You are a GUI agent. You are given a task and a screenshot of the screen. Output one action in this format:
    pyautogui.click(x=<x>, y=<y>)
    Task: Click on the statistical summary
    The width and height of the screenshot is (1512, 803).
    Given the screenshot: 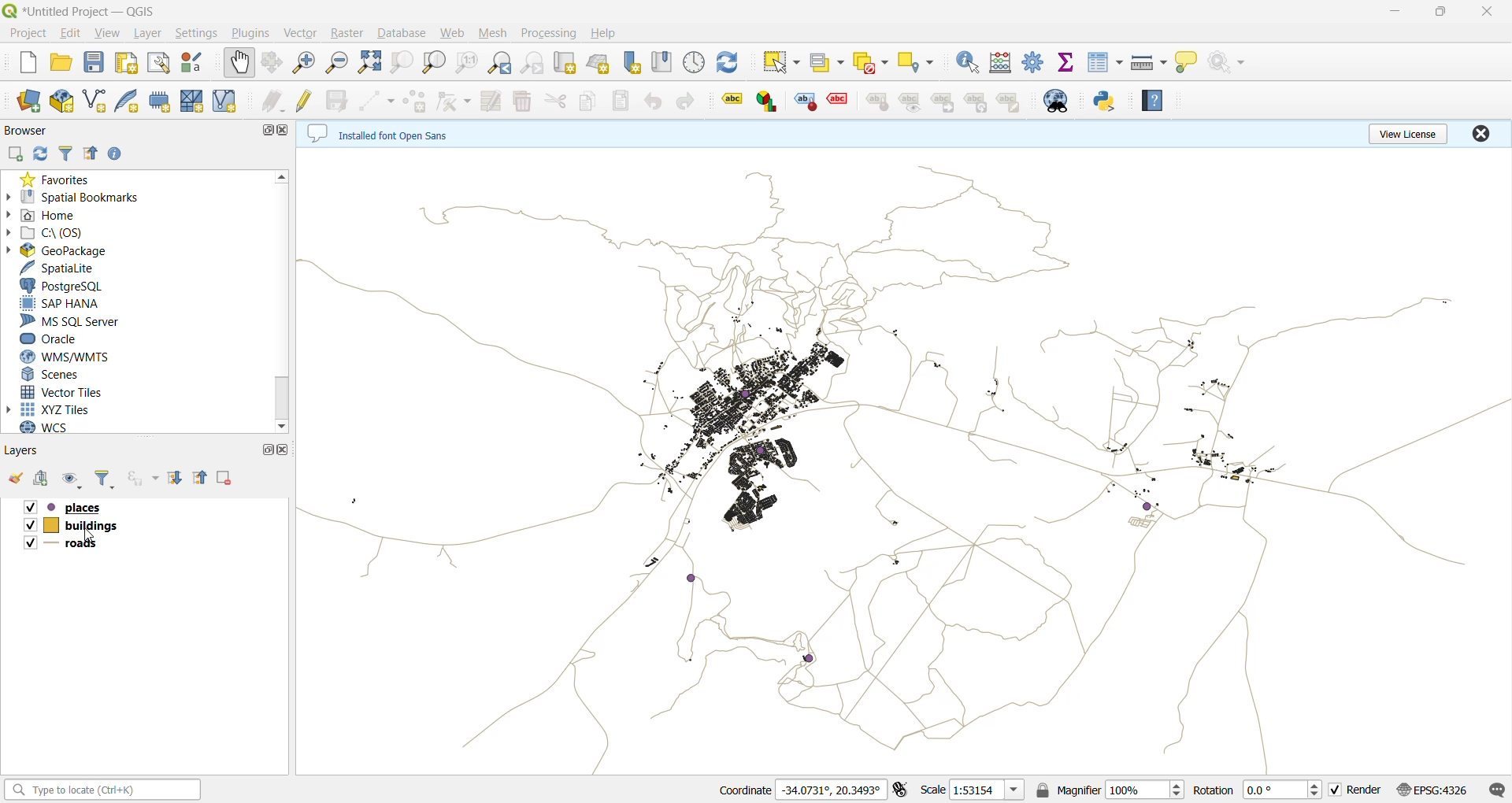 What is the action you would take?
    pyautogui.click(x=1067, y=65)
    